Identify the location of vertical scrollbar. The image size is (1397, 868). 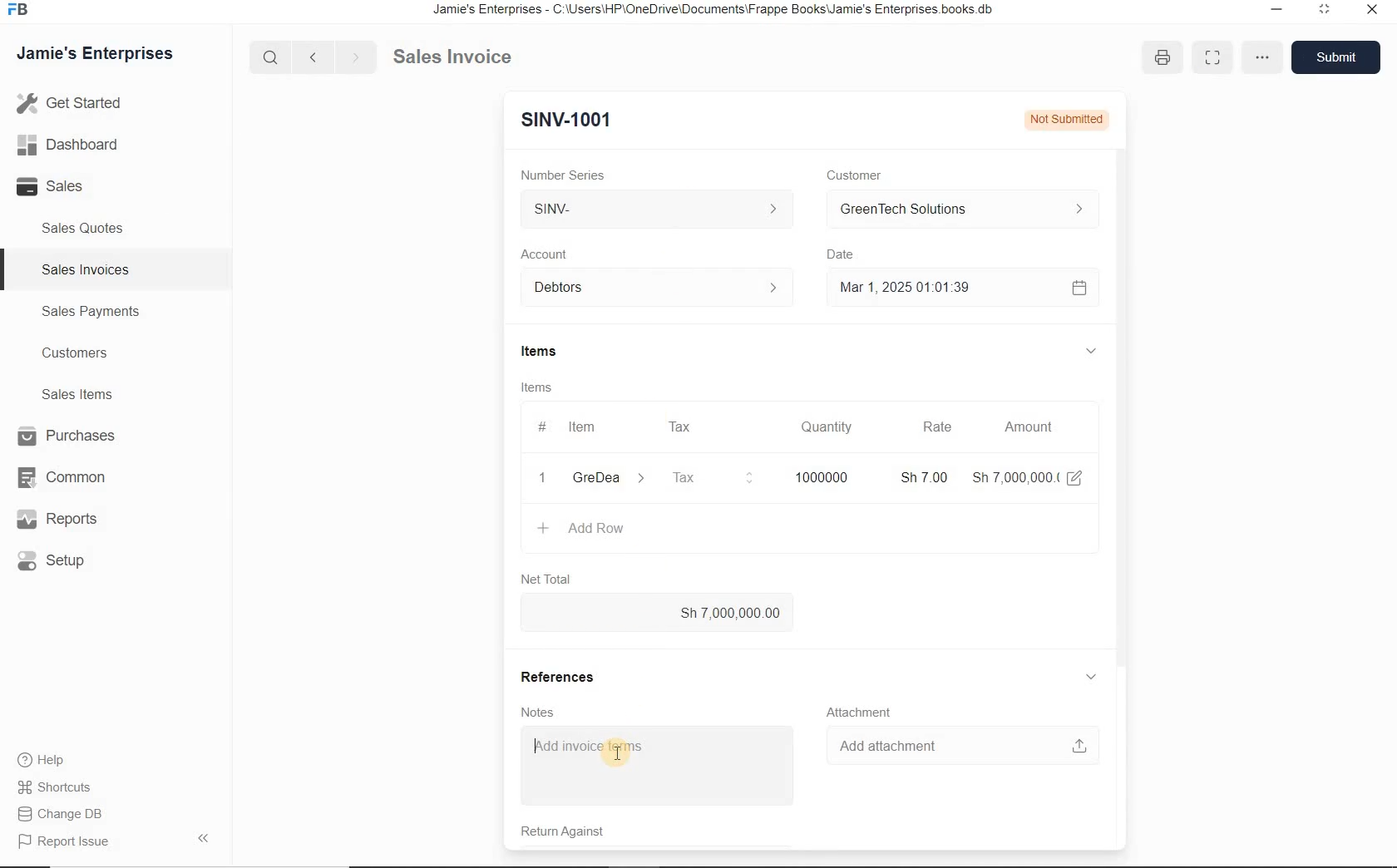
(1119, 387).